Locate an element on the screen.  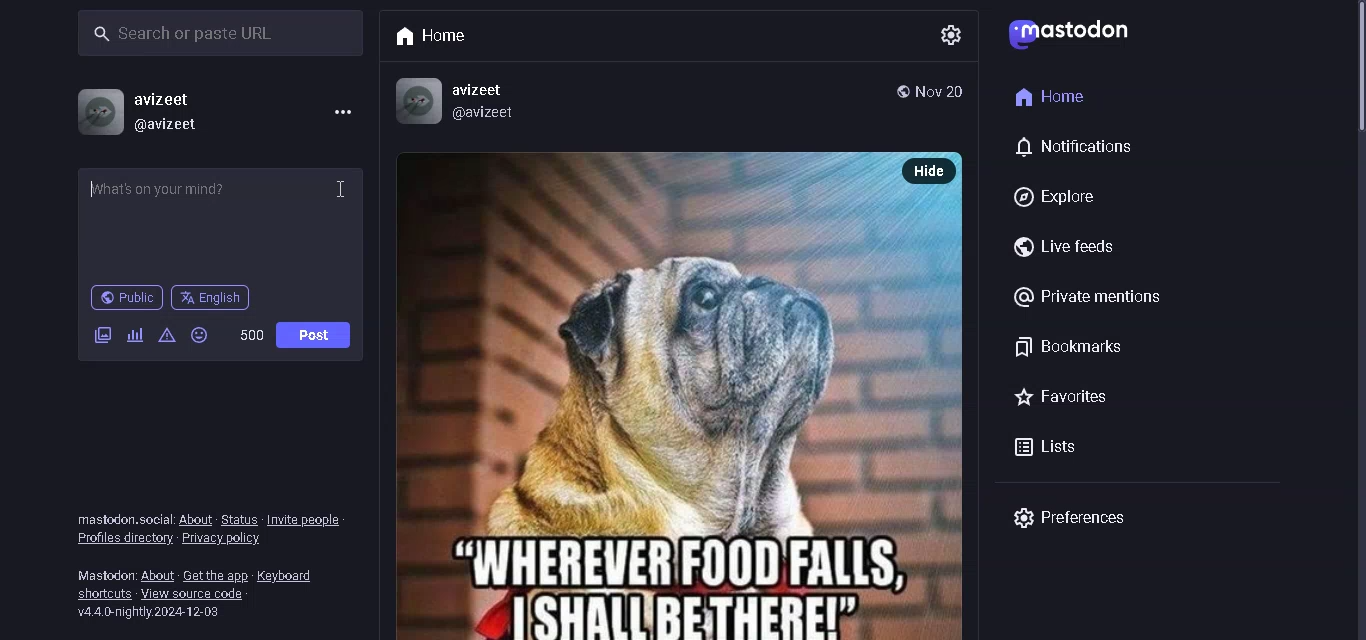
private mentions is located at coordinates (1102, 294).